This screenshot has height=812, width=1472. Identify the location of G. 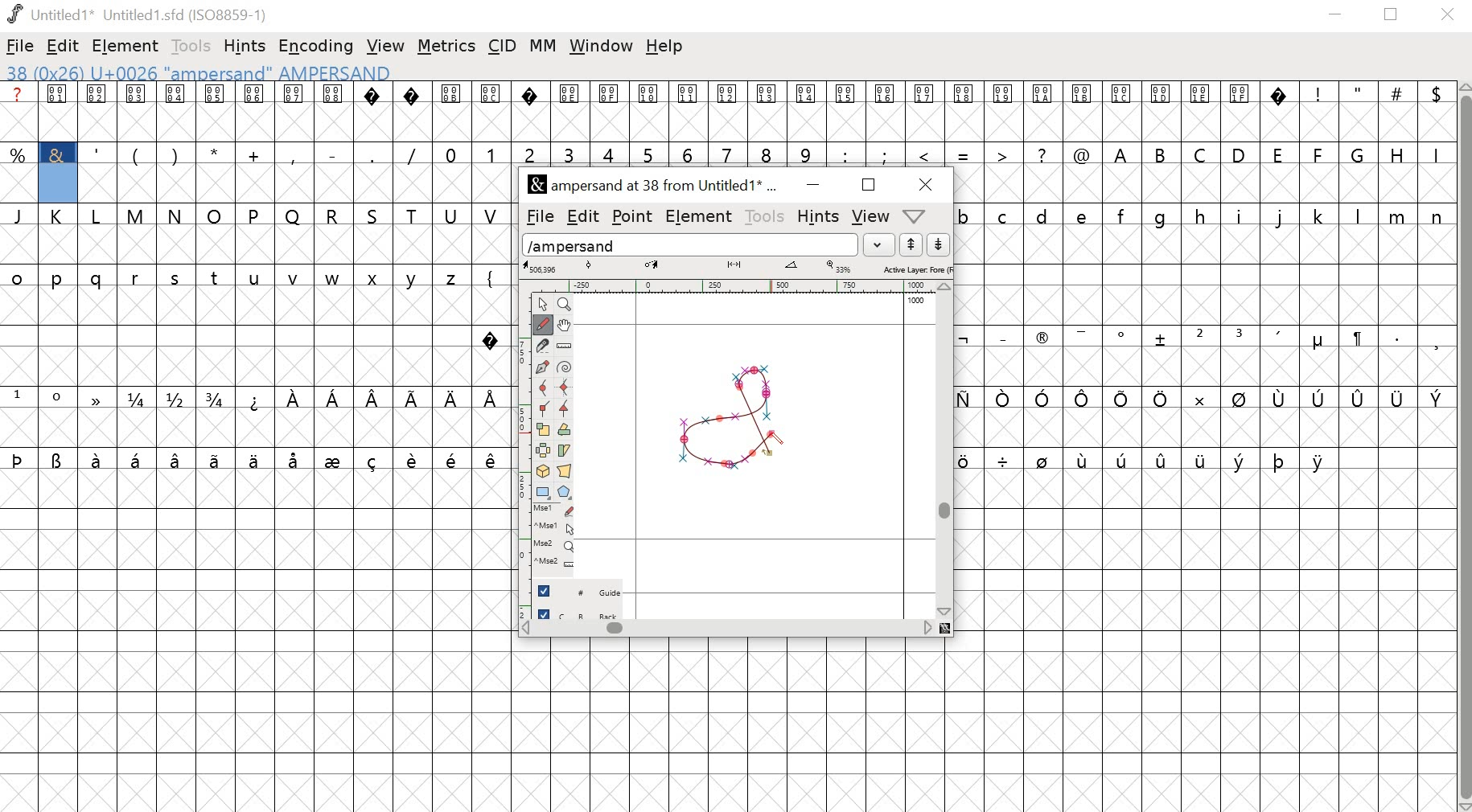
(1359, 154).